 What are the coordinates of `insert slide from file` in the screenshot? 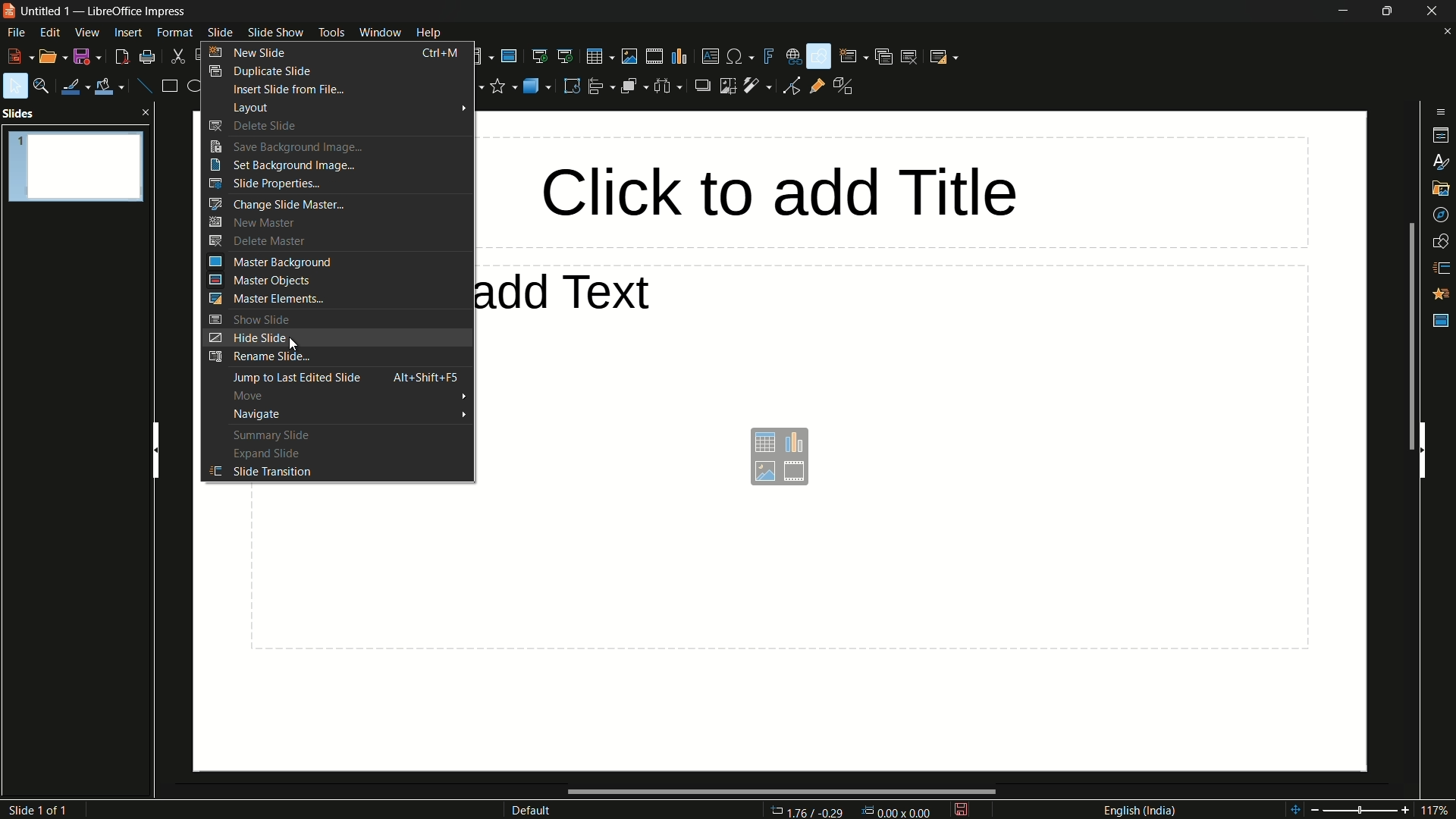 It's located at (288, 90).